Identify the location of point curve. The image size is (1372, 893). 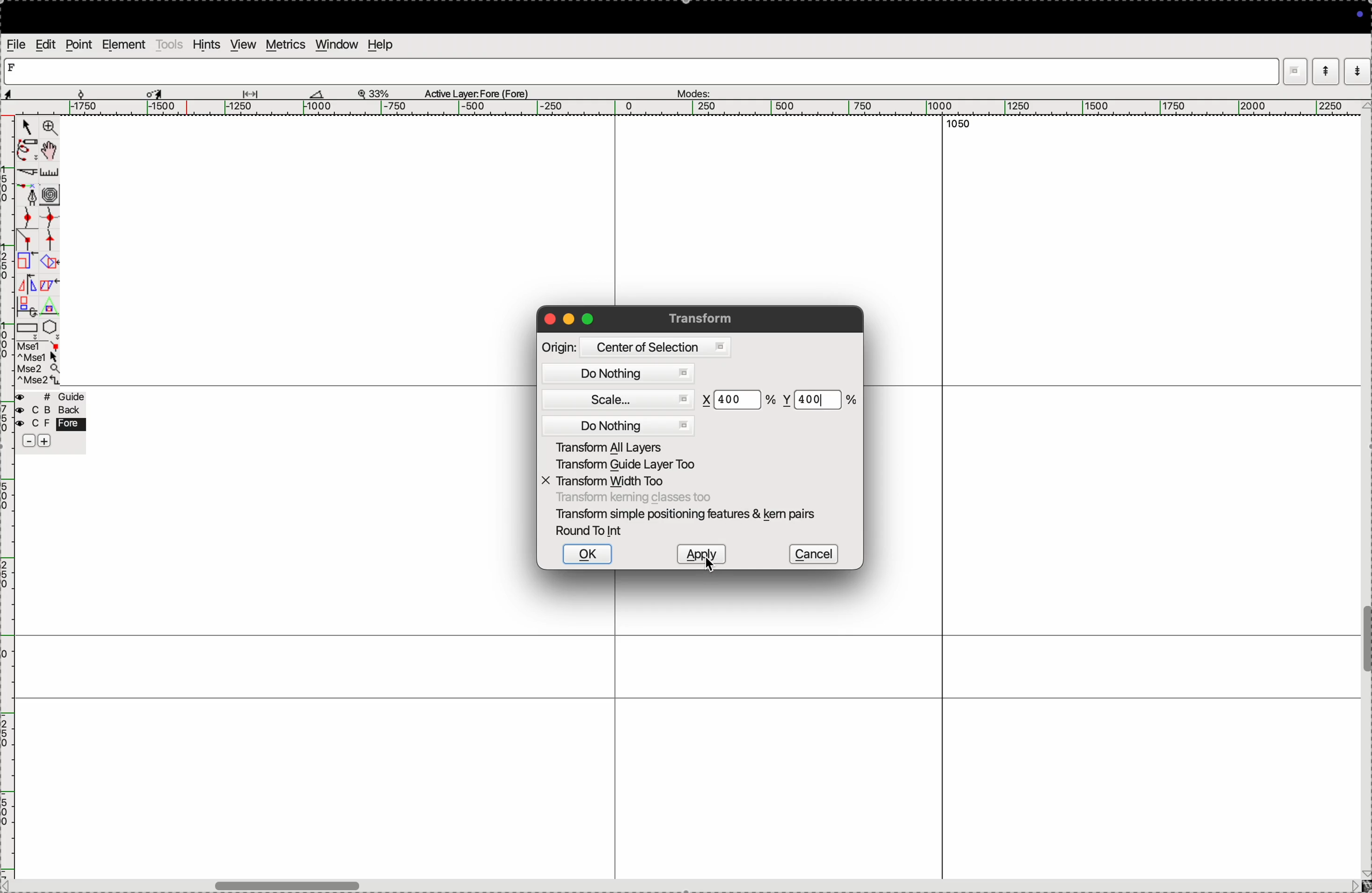
(29, 218).